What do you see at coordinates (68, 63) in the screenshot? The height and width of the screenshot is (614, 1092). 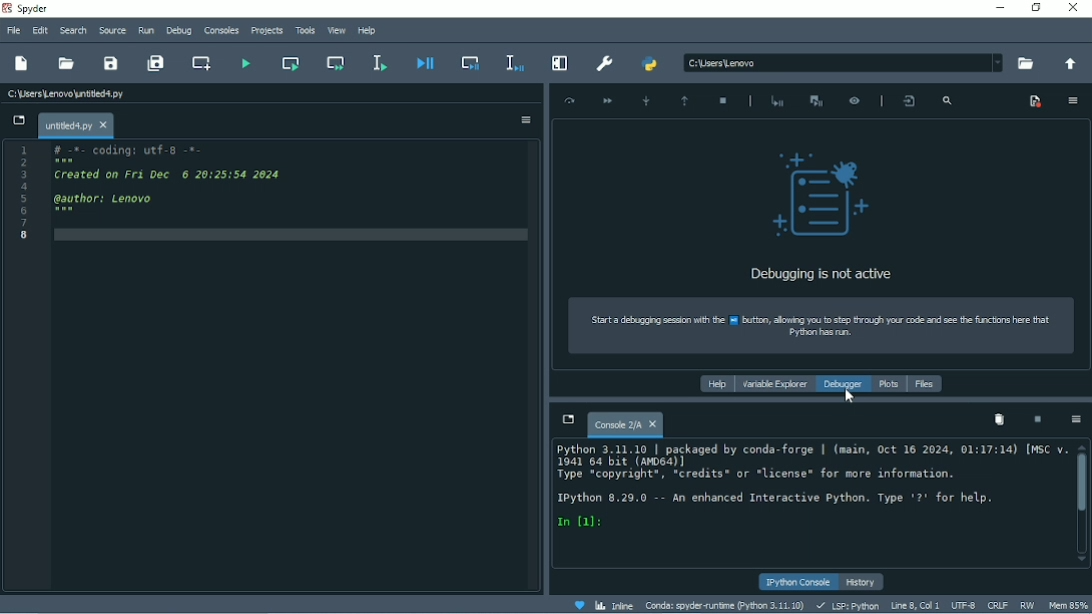 I see `Open file` at bounding box center [68, 63].